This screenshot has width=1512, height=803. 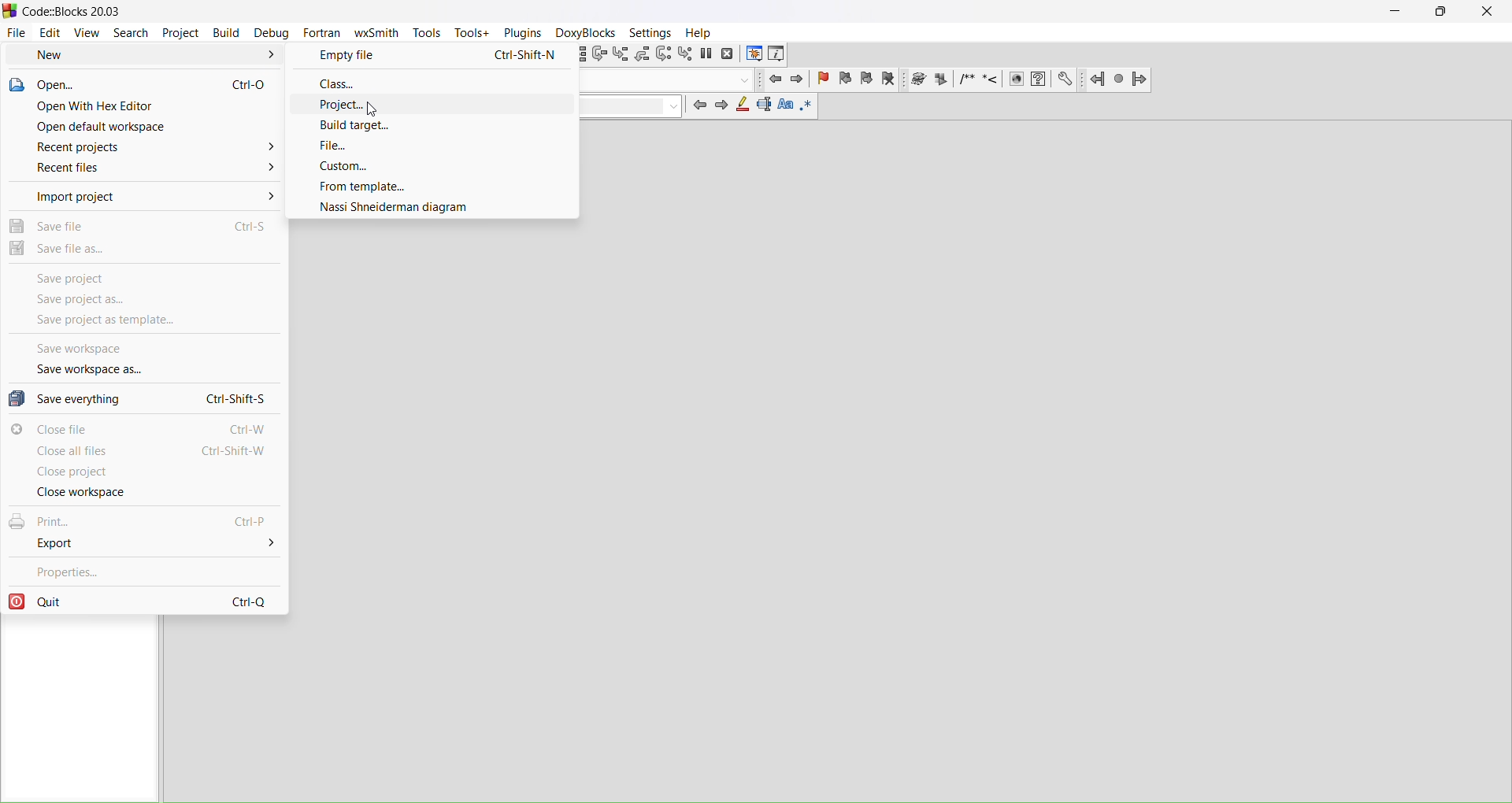 What do you see at coordinates (665, 55) in the screenshot?
I see `next instruction` at bounding box center [665, 55].